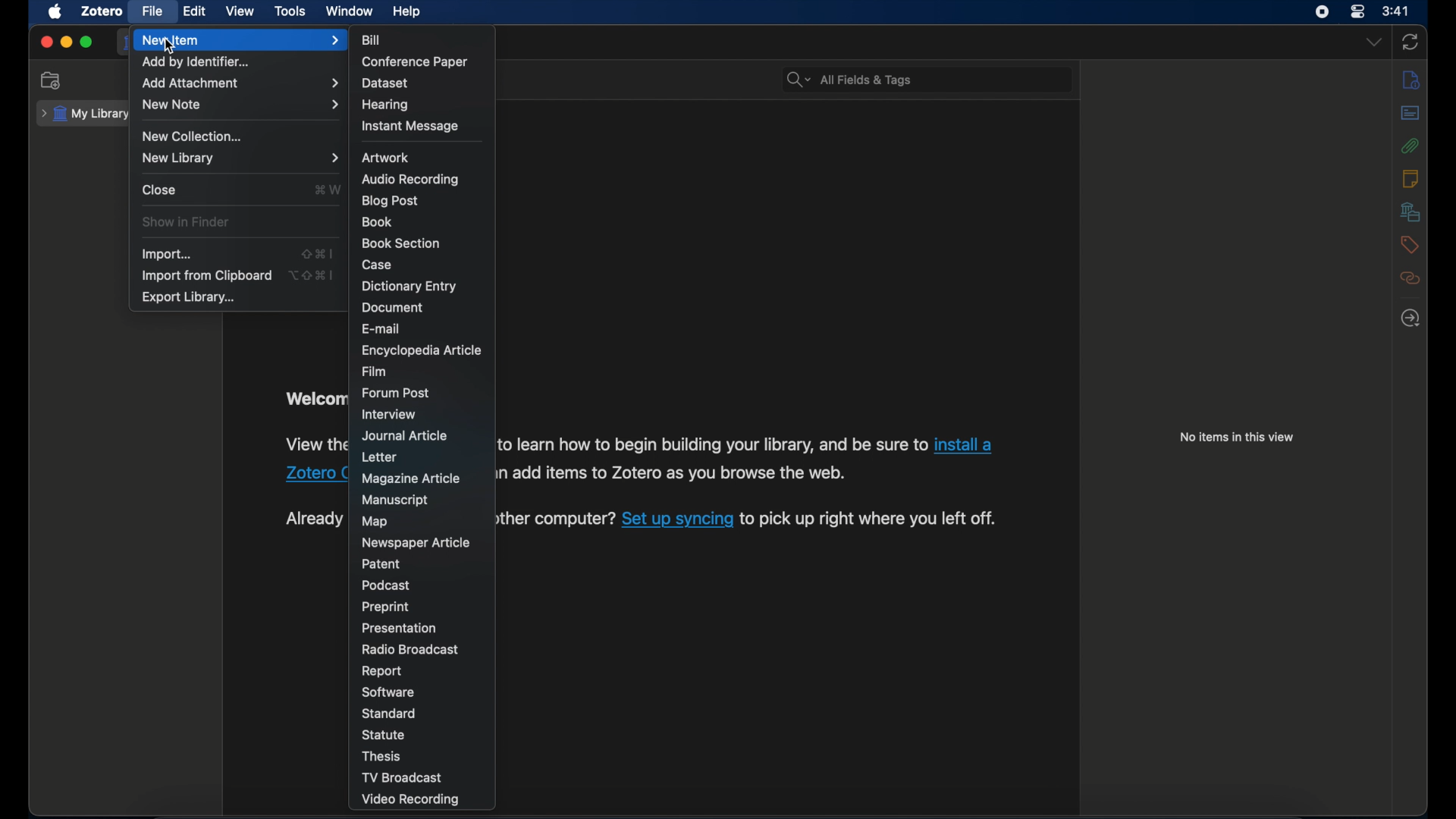 The height and width of the screenshot is (819, 1456). Describe the element at coordinates (375, 522) in the screenshot. I see `map` at that location.